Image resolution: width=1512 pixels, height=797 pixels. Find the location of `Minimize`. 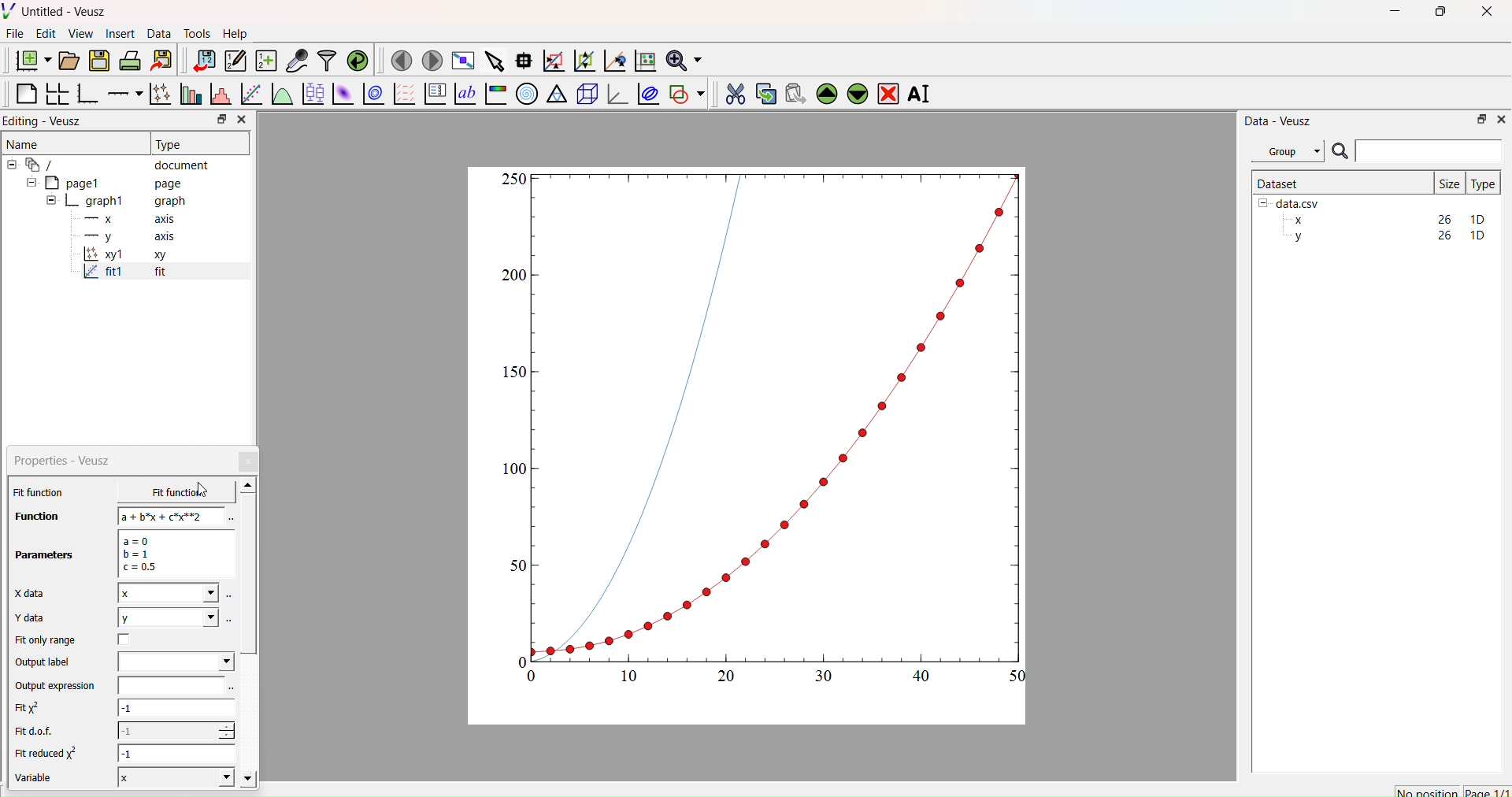

Minimize is located at coordinates (1395, 15).